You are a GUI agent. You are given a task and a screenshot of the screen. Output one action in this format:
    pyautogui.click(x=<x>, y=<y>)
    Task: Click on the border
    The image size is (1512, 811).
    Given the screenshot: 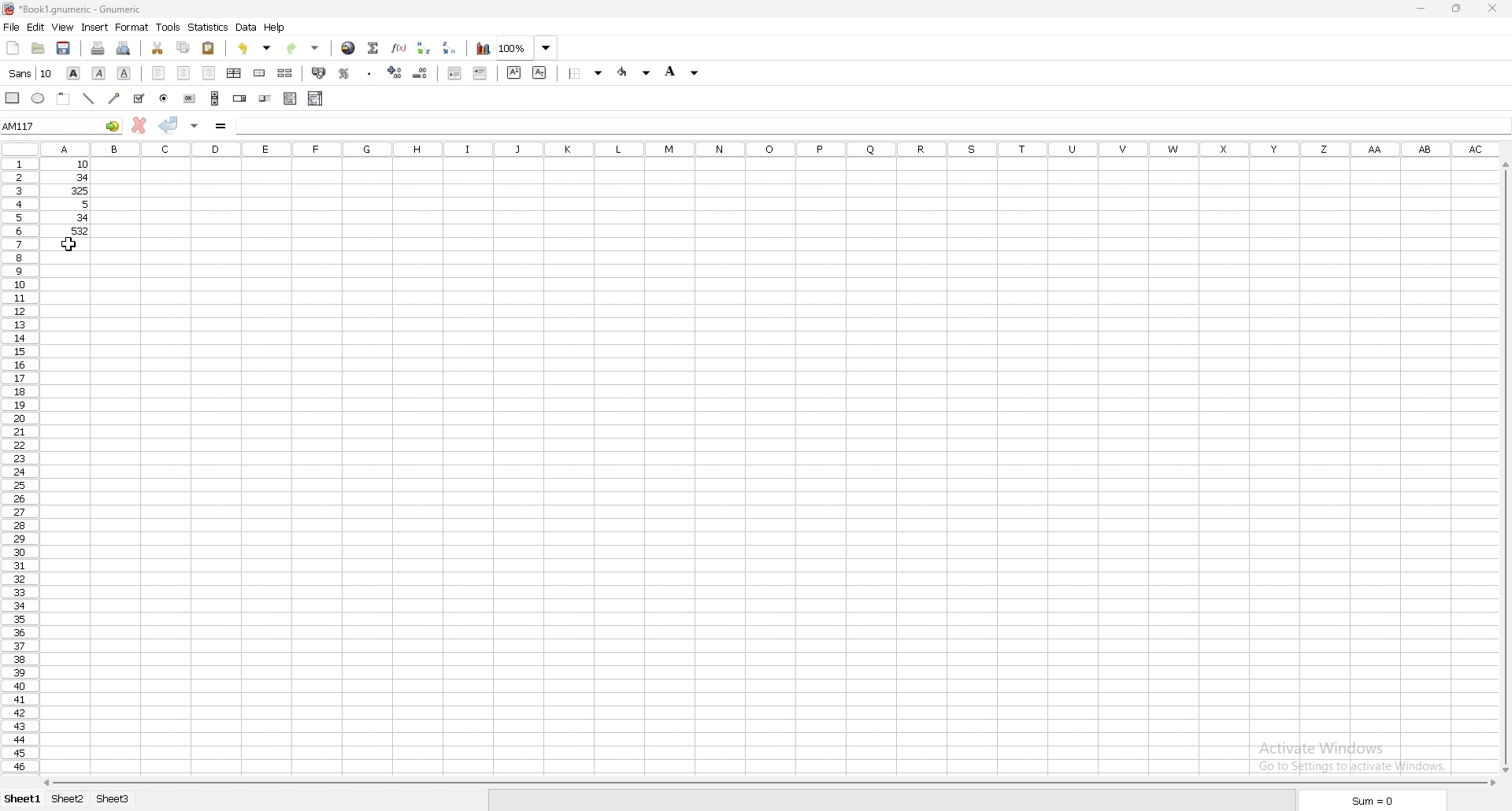 What is the action you would take?
    pyautogui.click(x=585, y=72)
    